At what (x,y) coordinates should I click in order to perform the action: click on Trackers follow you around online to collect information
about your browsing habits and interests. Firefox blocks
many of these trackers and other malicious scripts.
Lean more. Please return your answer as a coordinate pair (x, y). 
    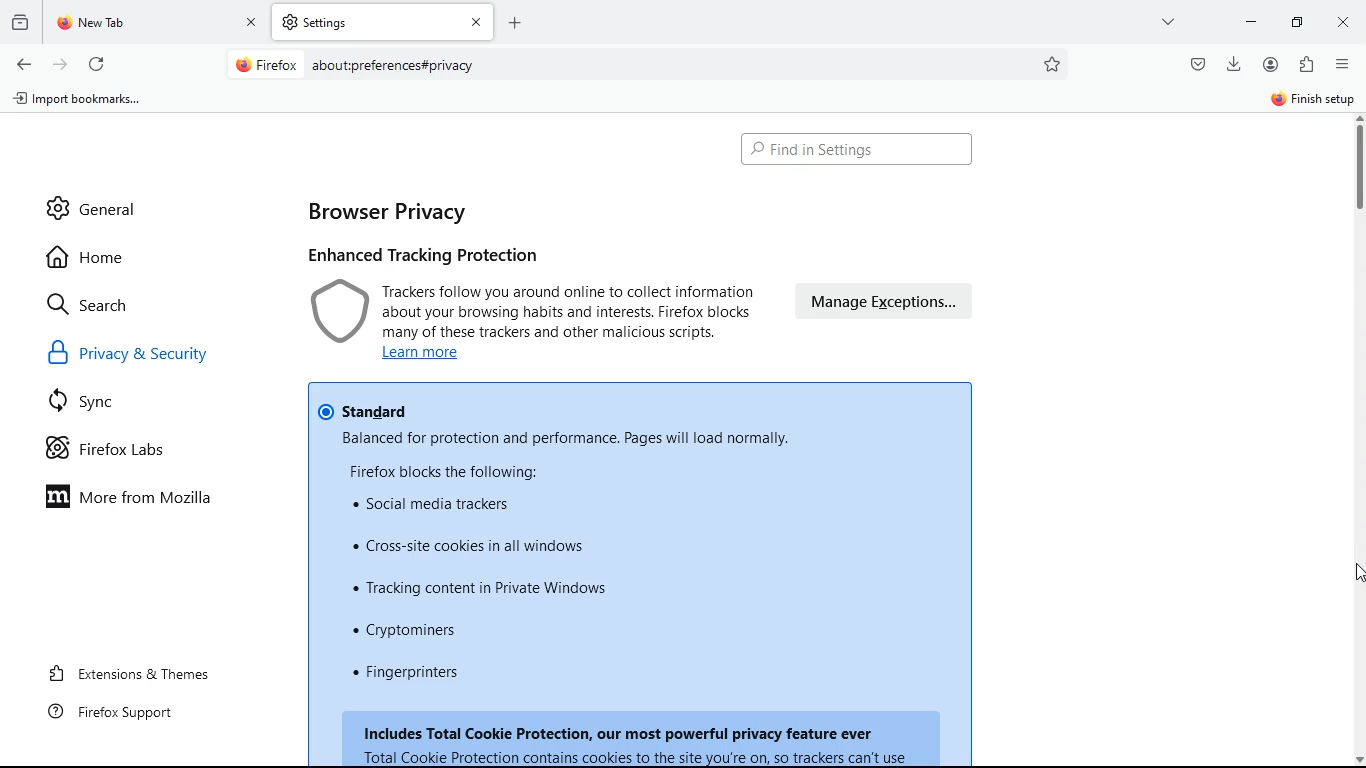
    Looking at the image, I should click on (570, 324).